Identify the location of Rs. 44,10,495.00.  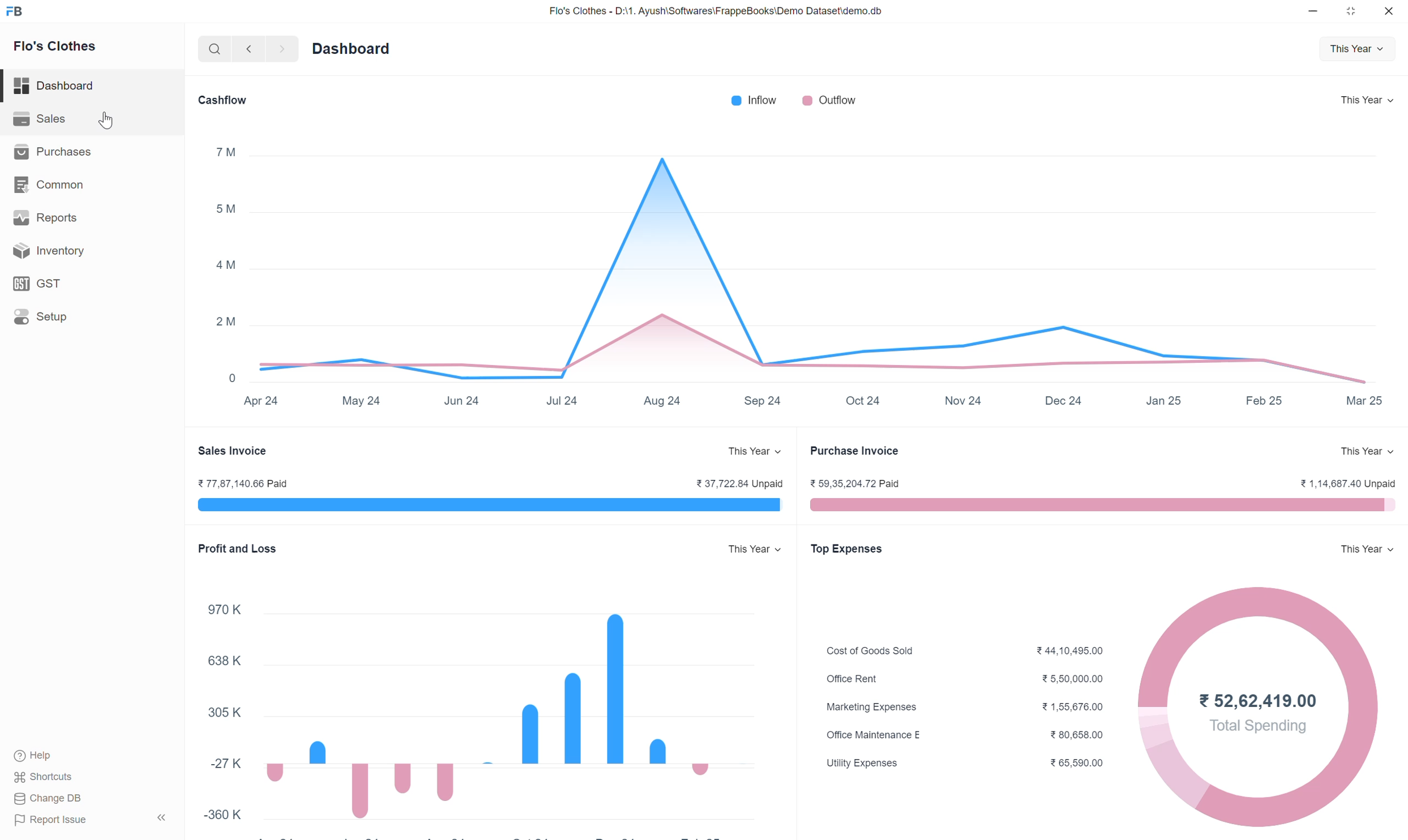
(1071, 650).